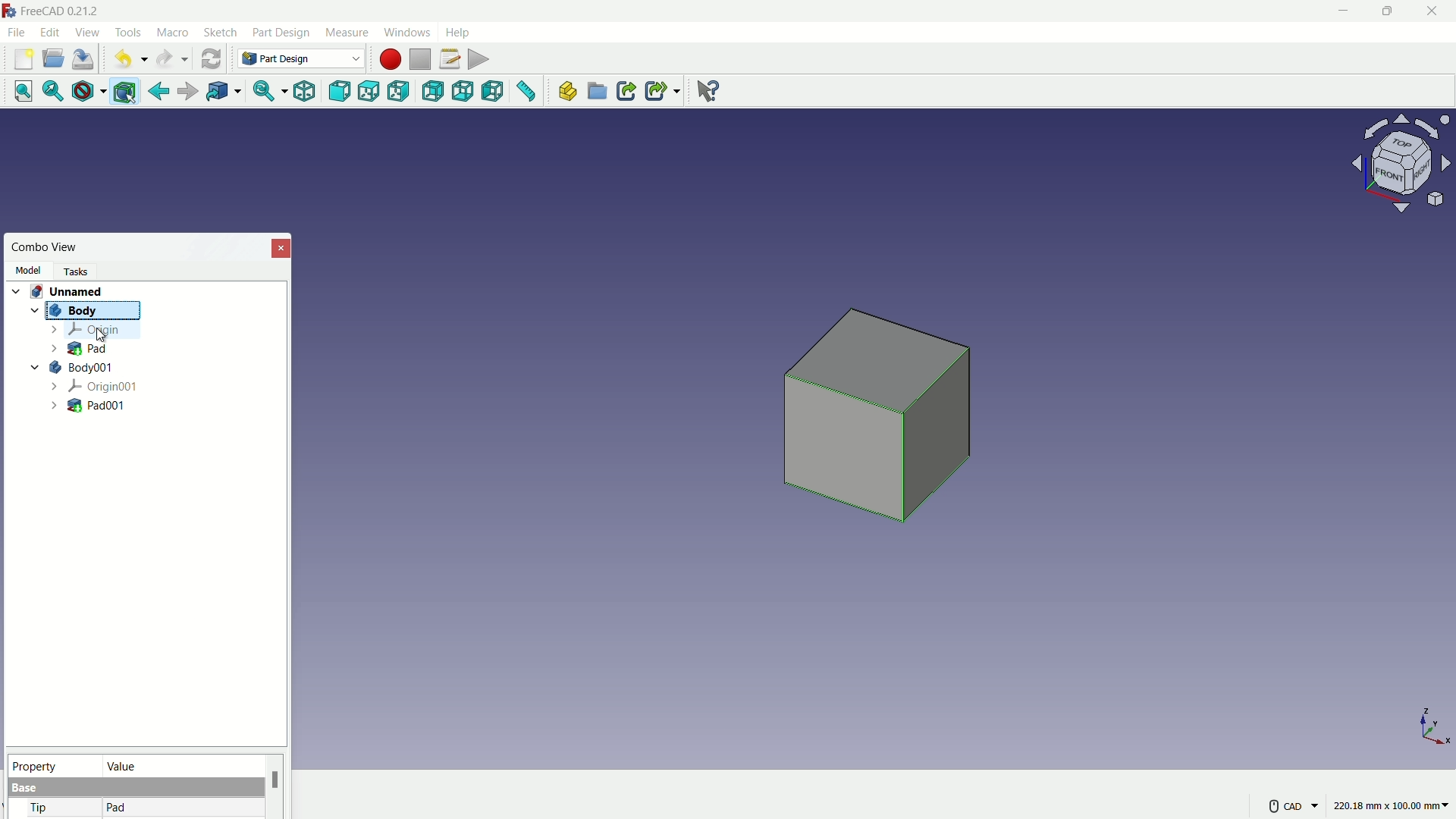 The width and height of the screenshot is (1456, 819). Describe the element at coordinates (24, 59) in the screenshot. I see `new file` at that location.